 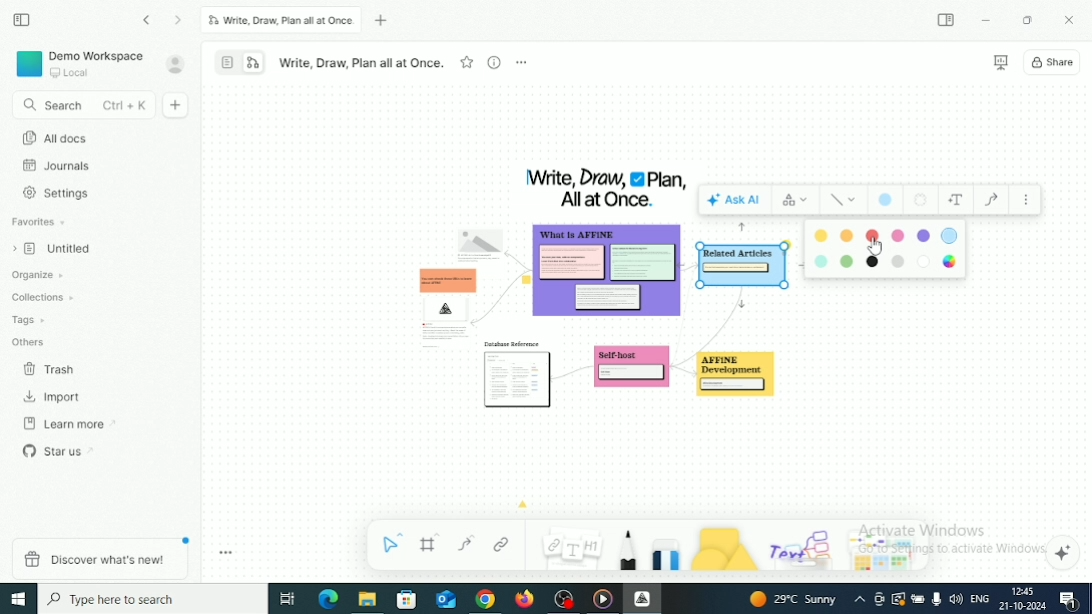 What do you see at coordinates (55, 138) in the screenshot?
I see `All docs` at bounding box center [55, 138].